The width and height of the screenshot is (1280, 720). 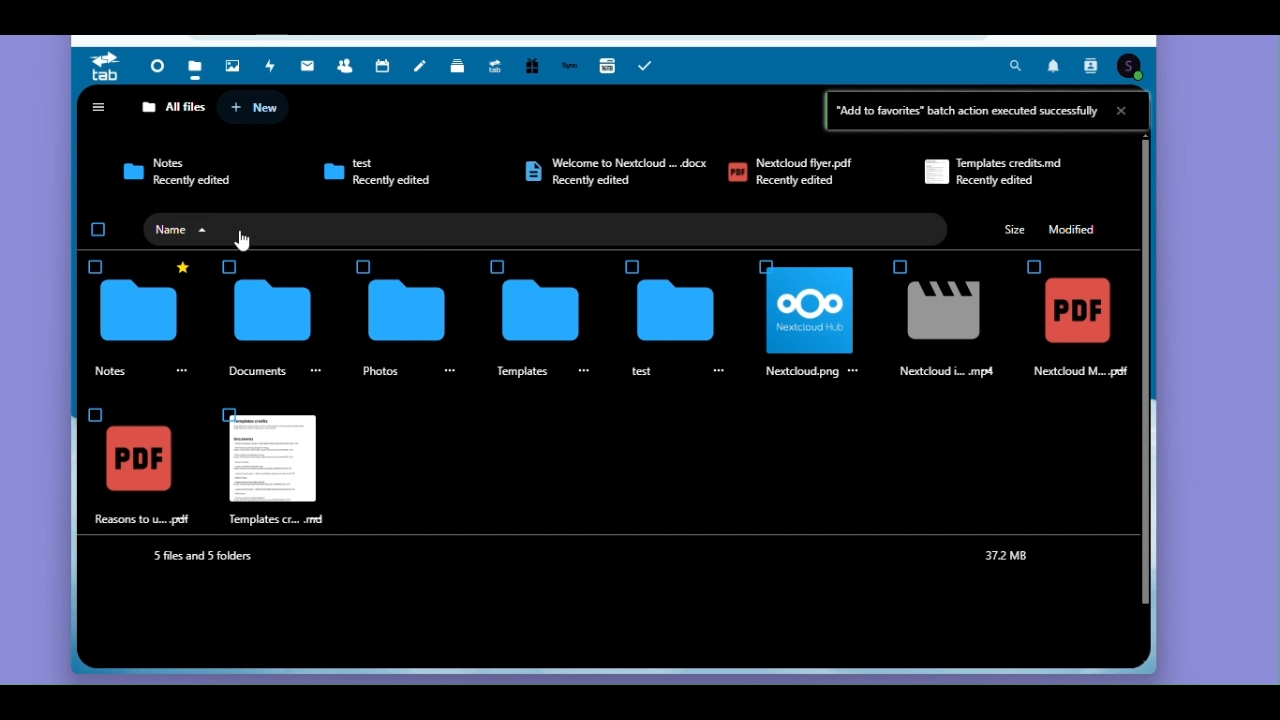 What do you see at coordinates (1020, 67) in the screenshot?
I see `Search Bar` at bounding box center [1020, 67].